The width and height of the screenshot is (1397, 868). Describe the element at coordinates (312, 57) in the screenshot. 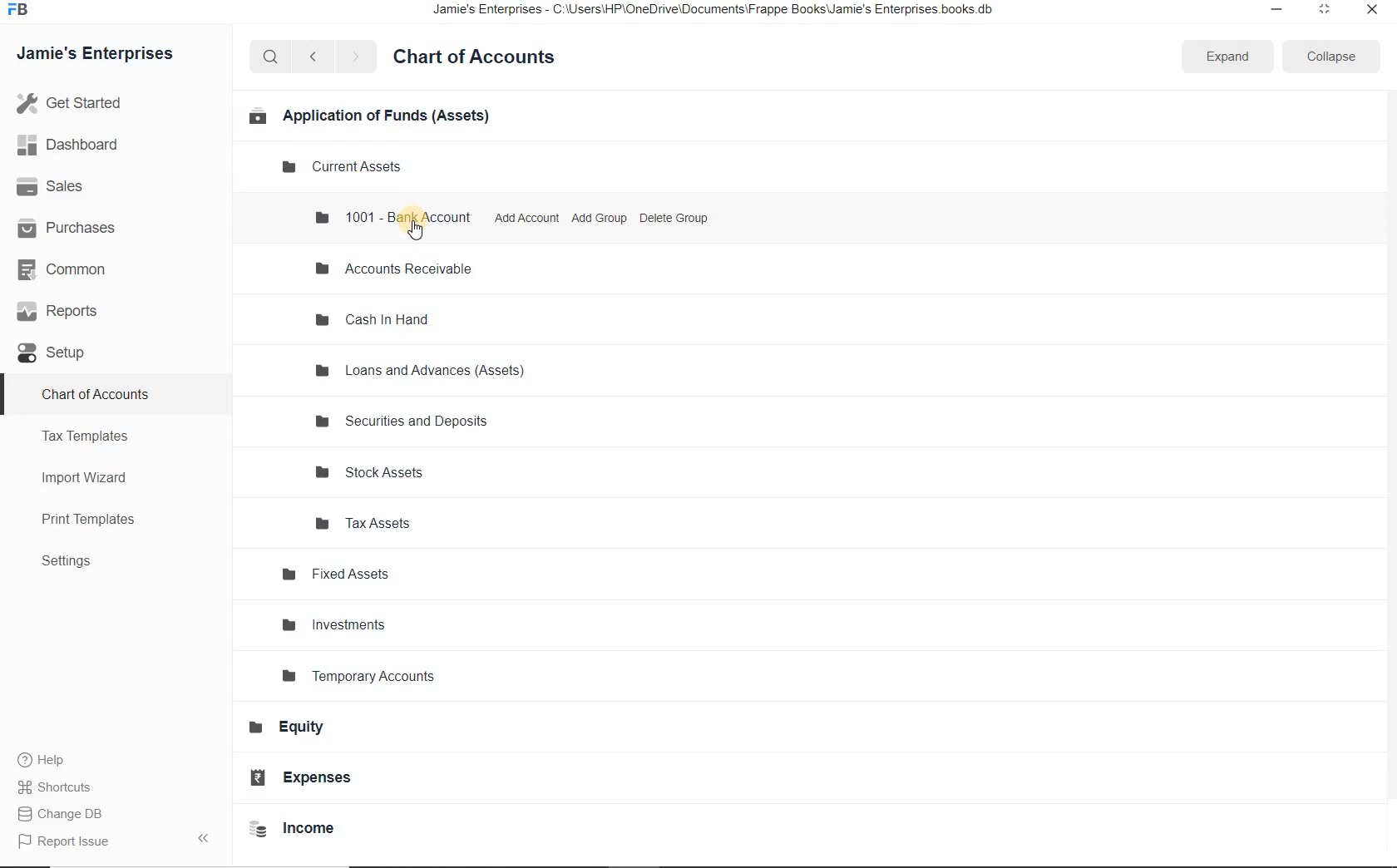

I see `backward` at that location.